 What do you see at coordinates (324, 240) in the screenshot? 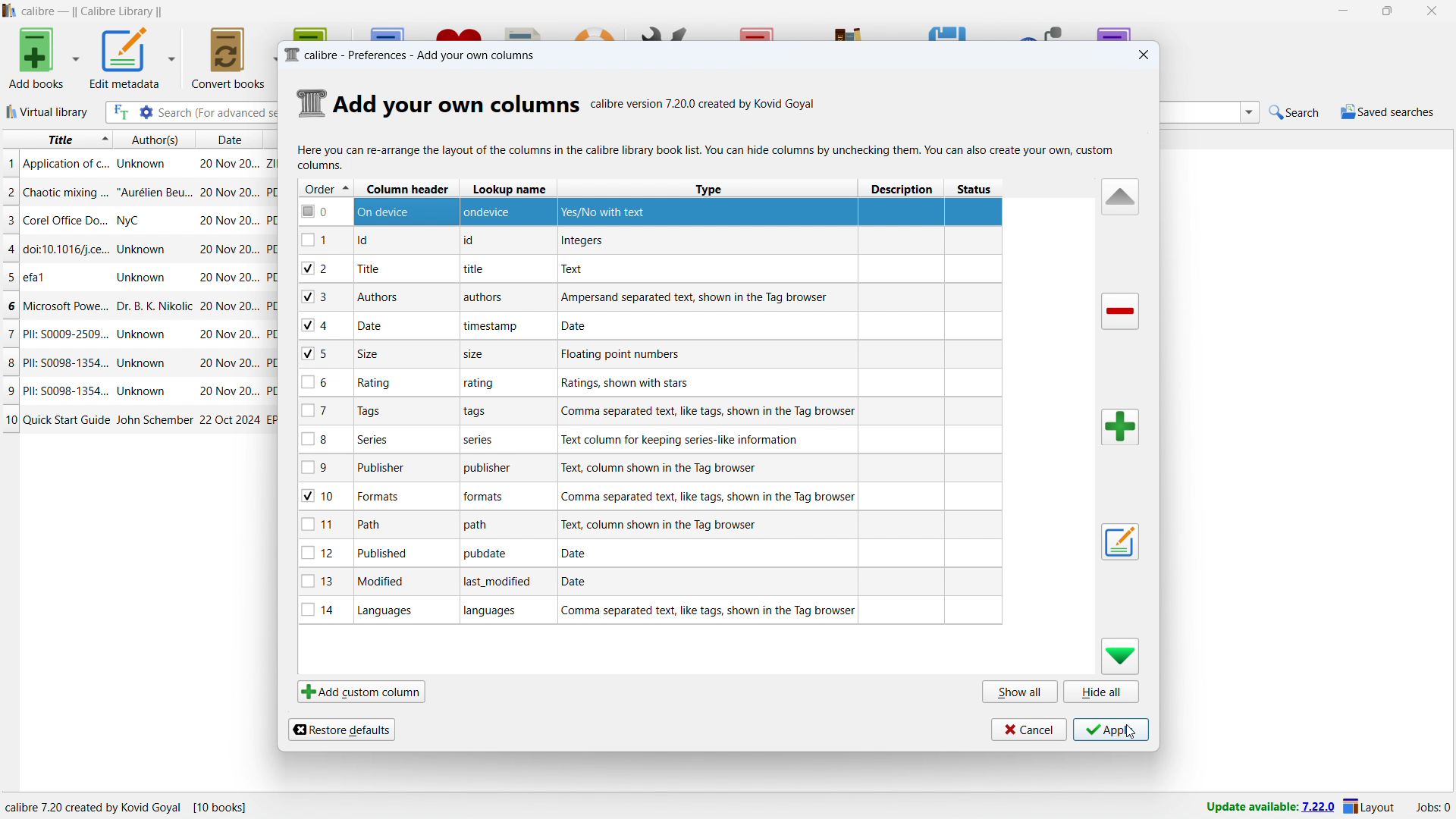
I see `1` at bounding box center [324, 240].